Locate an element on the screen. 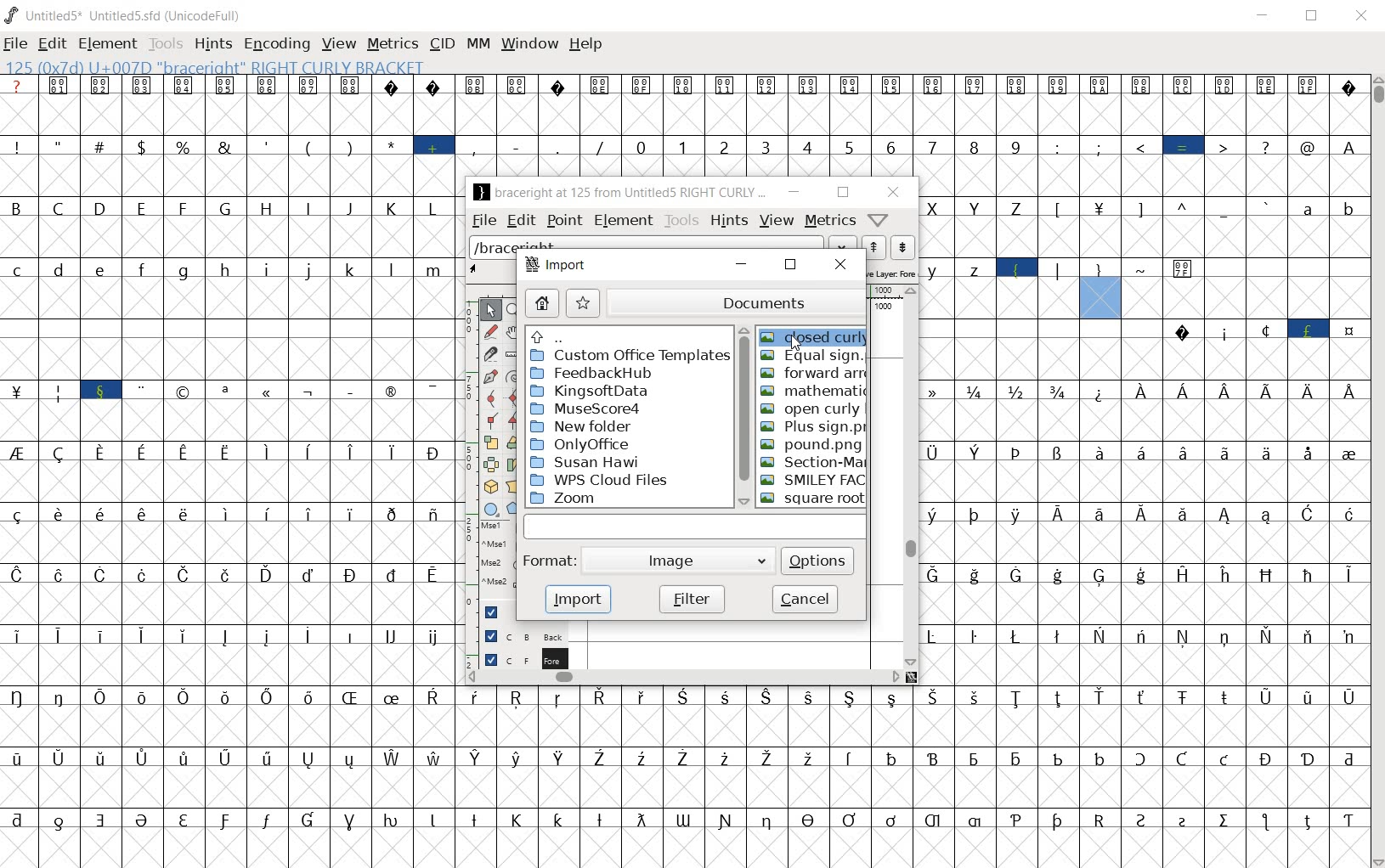 The height and width of the screenshot is (868, 1385). scroll by hand is located at coordinates (514, 332).